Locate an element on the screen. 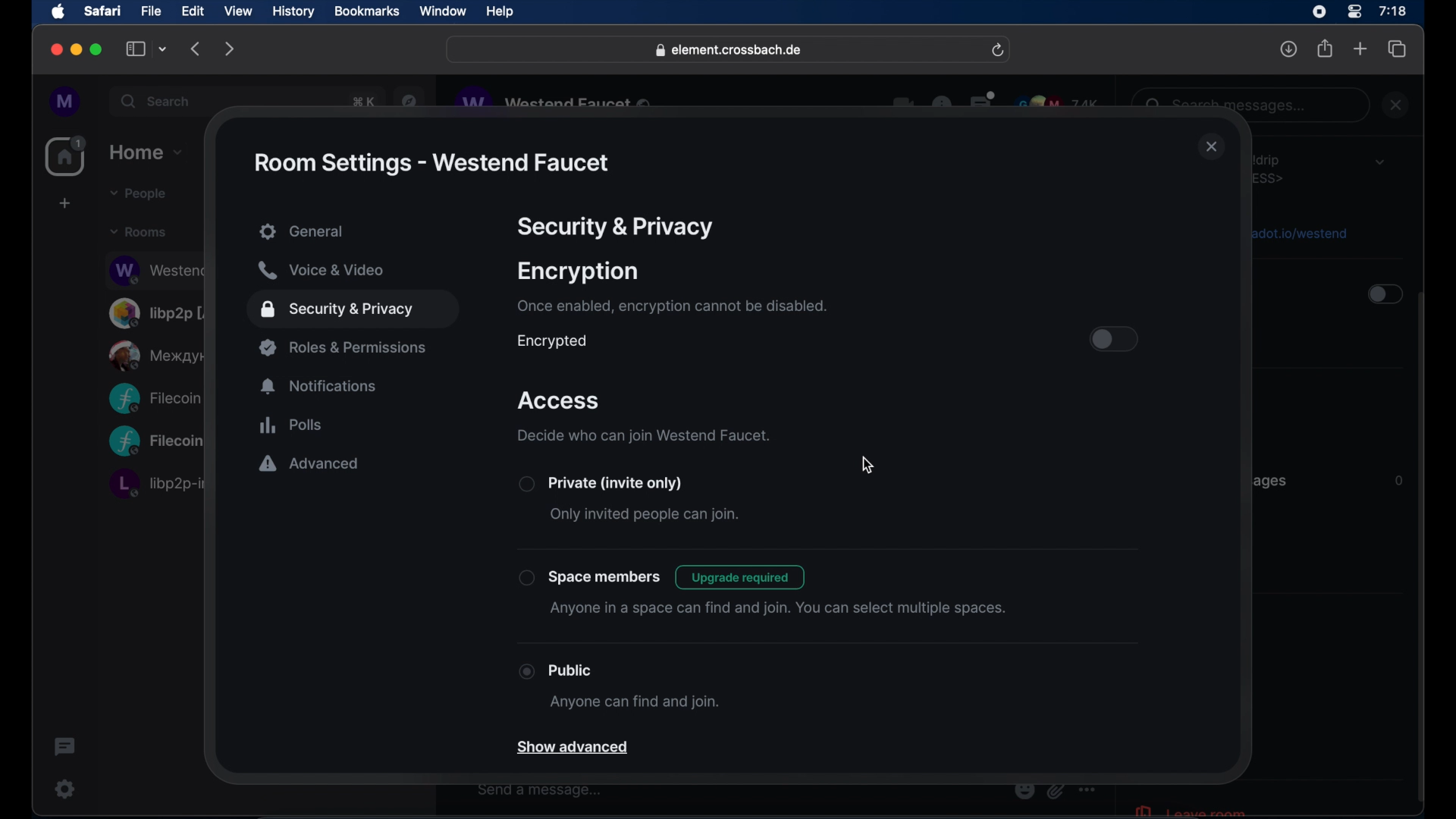  obscure text is located at coordinates (1229, 105).